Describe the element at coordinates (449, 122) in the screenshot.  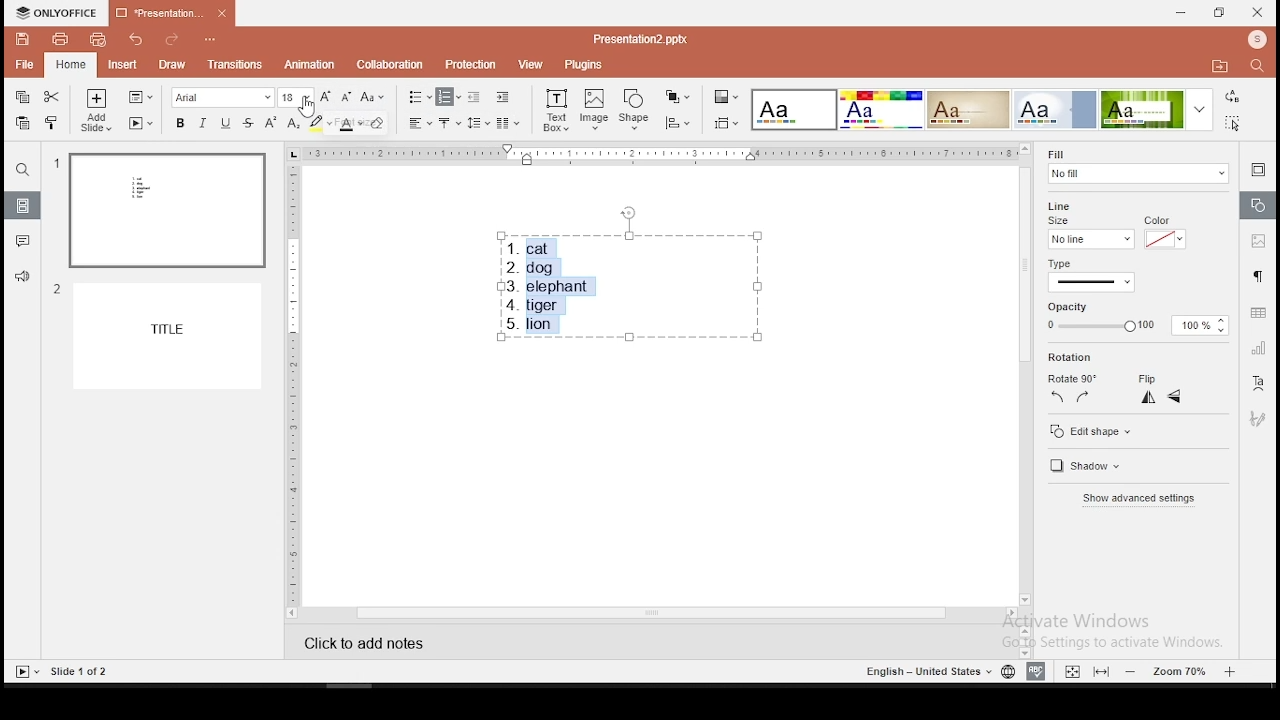
I see `vertical alignment` at that location.